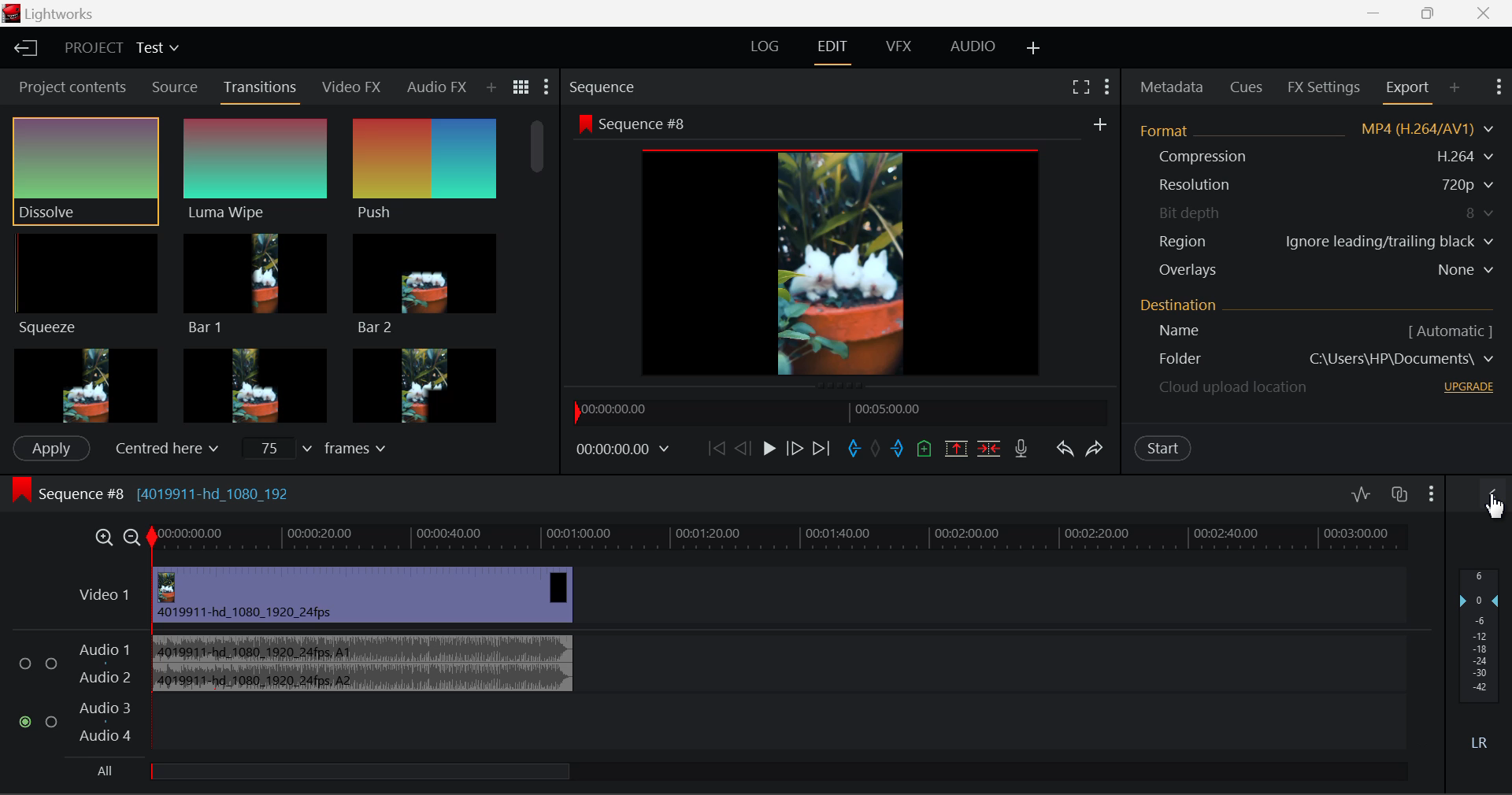 The width and height of the screenshot is (1512, 795). Describe the element at coordinates (1319, 360) in the screenshot. I see `Destination Folder` at that location.